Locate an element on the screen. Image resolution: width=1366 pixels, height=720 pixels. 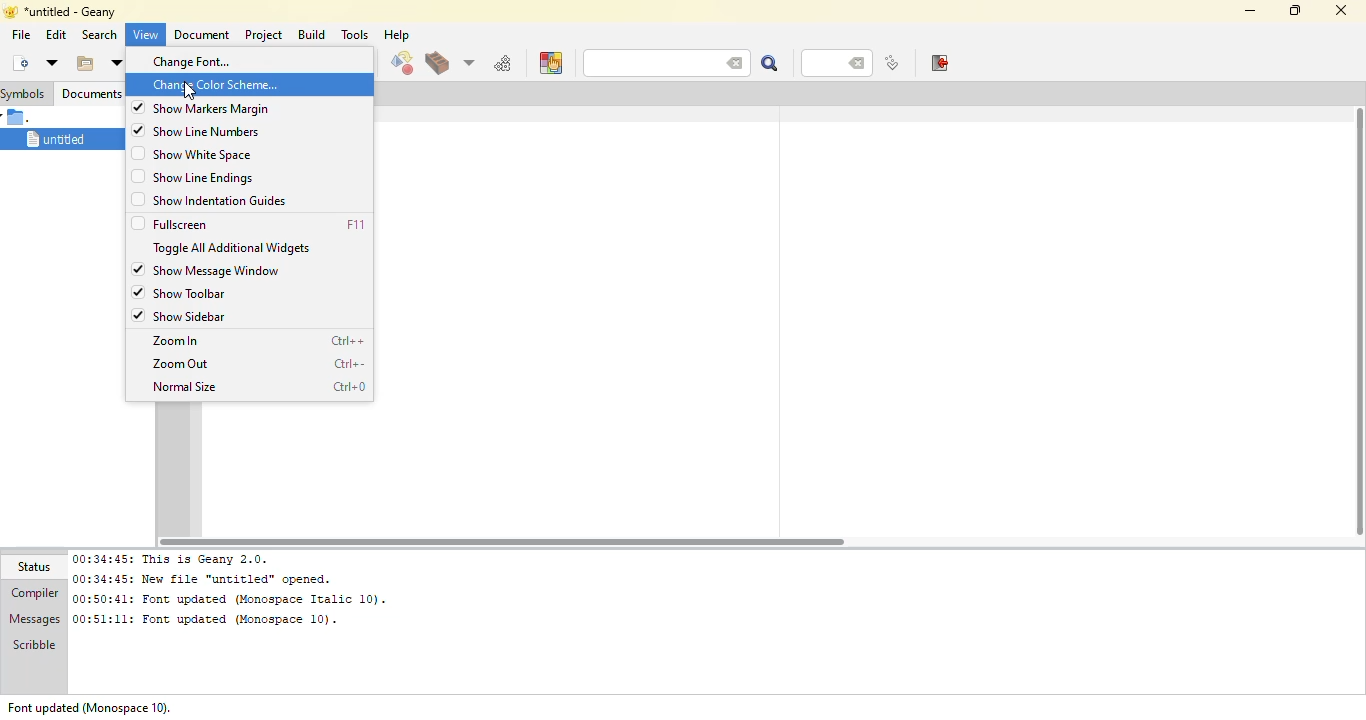
tools is located at coordinates (355, 34).